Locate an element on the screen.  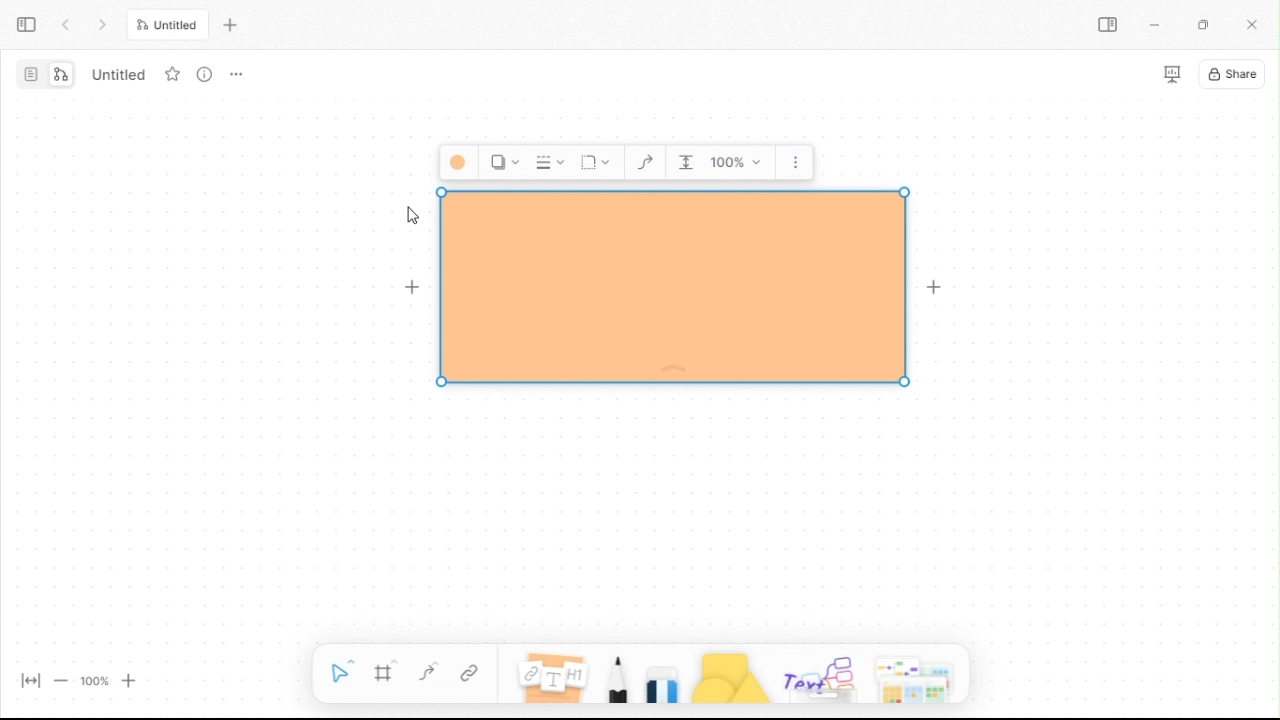
zoom in is located at coordinates (130, 680).